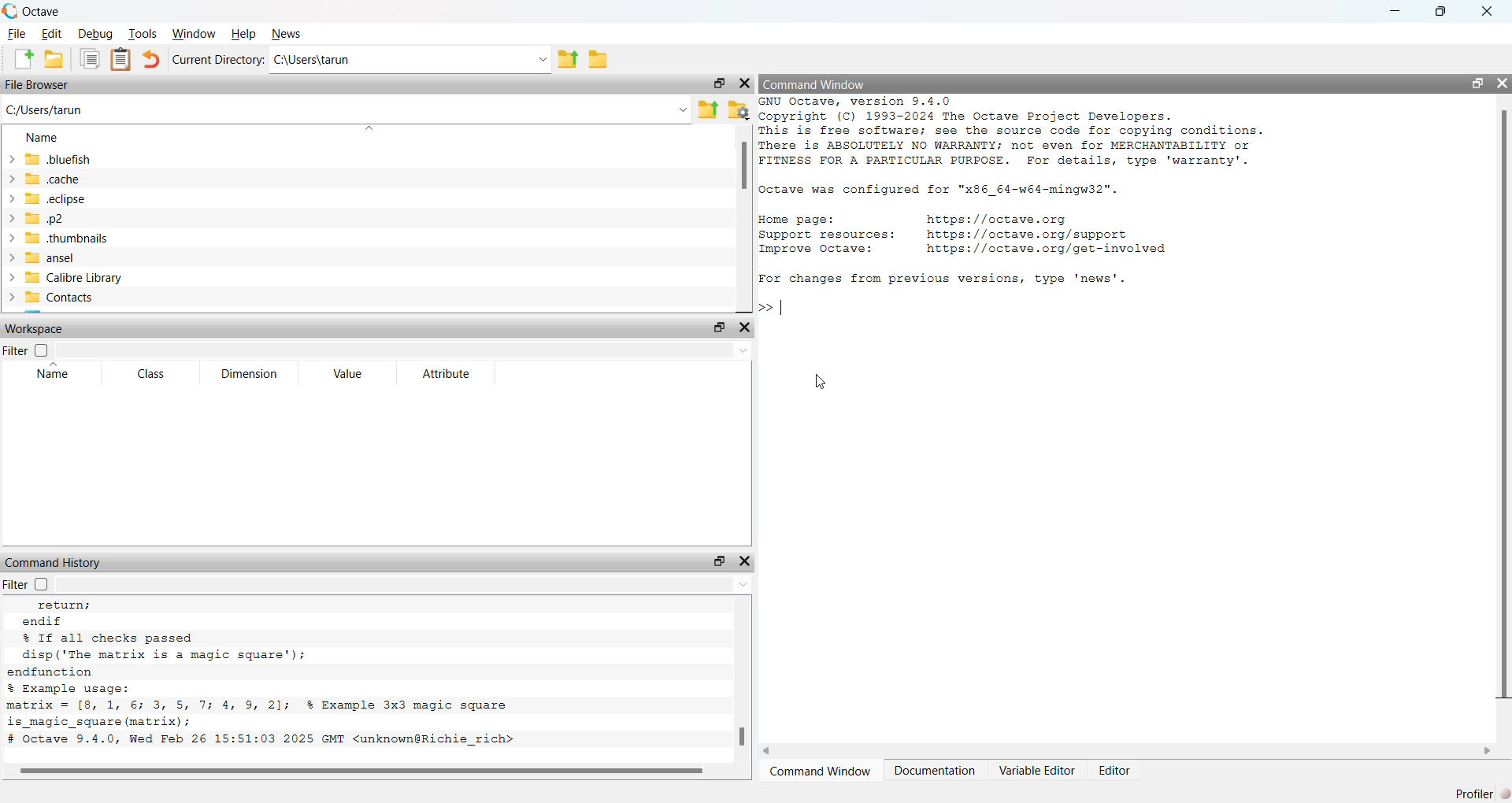  I want to click on close, so click(746, 328).